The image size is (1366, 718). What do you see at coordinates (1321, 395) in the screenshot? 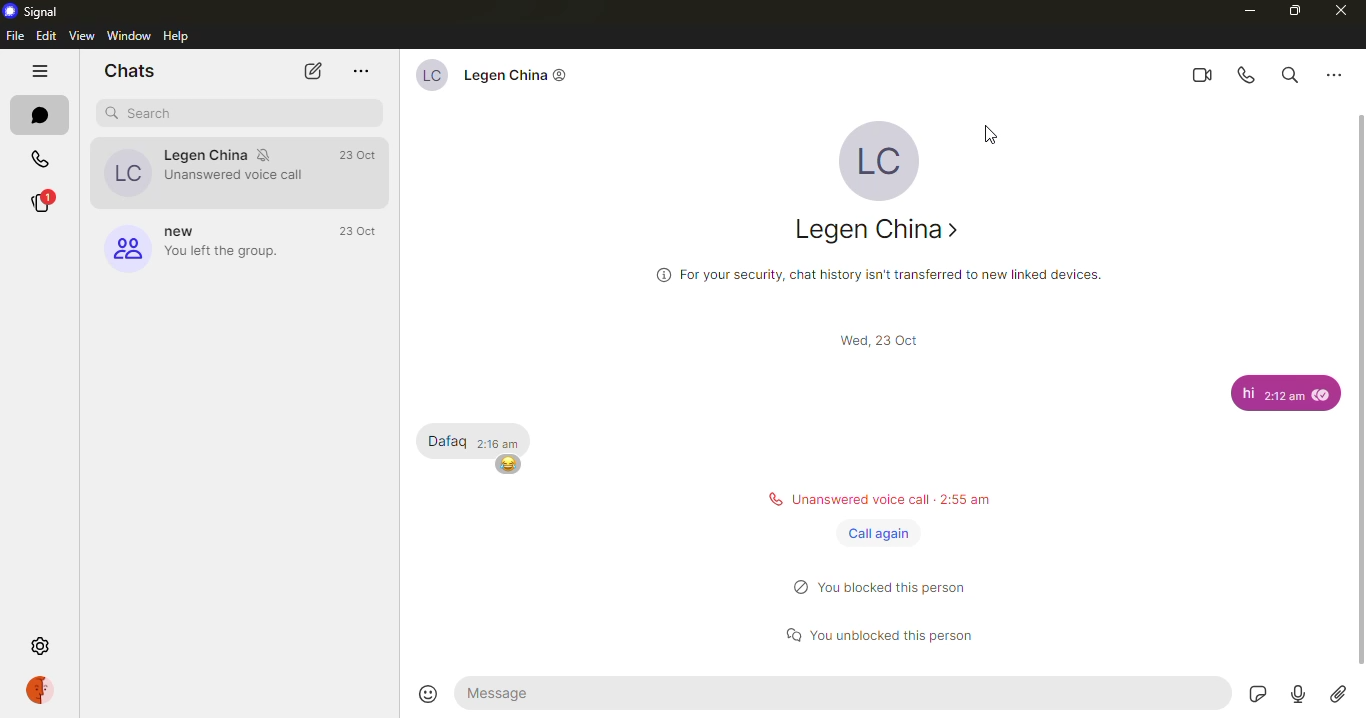
I see `seen` at bounding box center [1321, 395].